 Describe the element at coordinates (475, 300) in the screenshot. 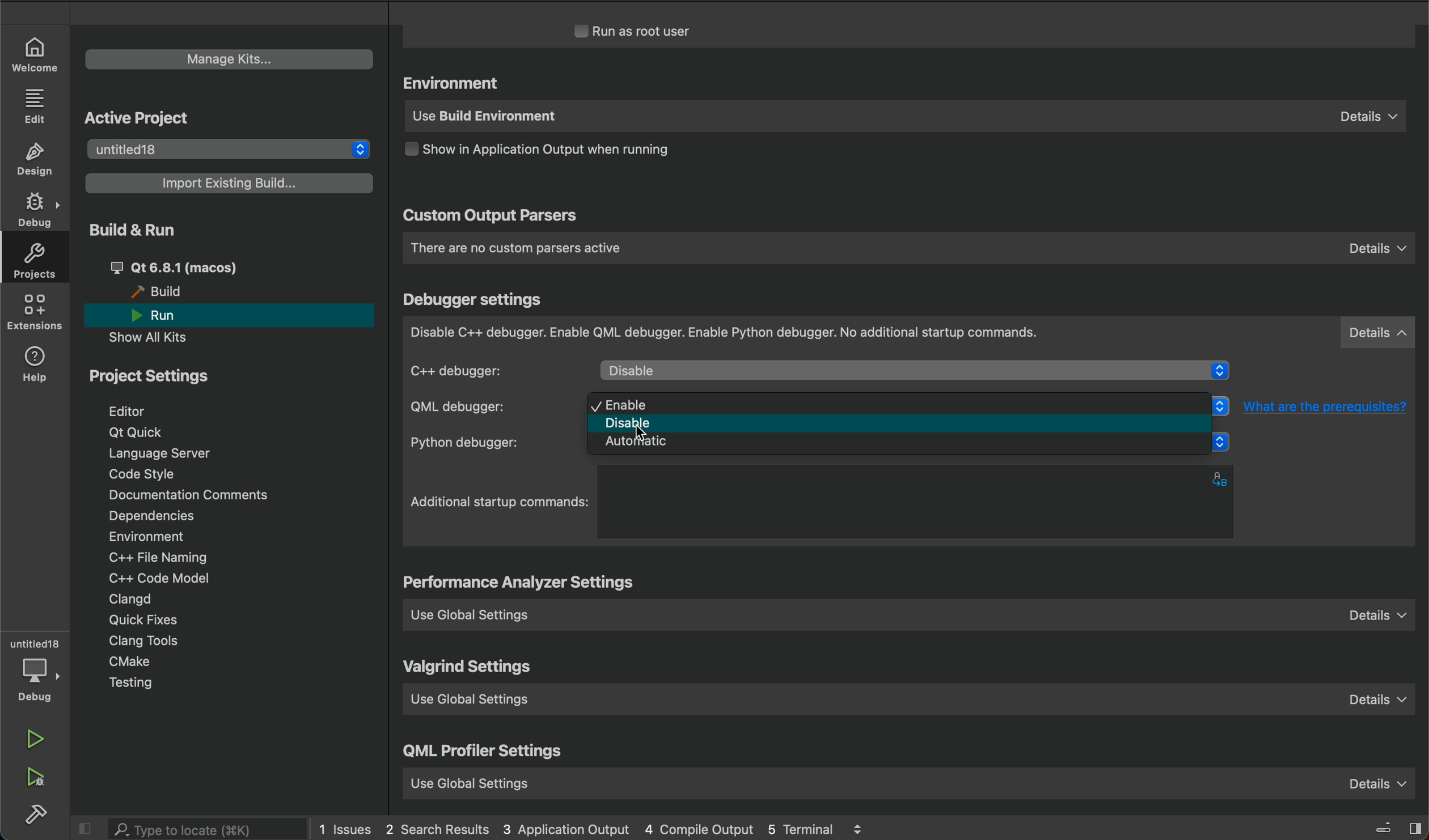

I see `debugger settings` at that location.